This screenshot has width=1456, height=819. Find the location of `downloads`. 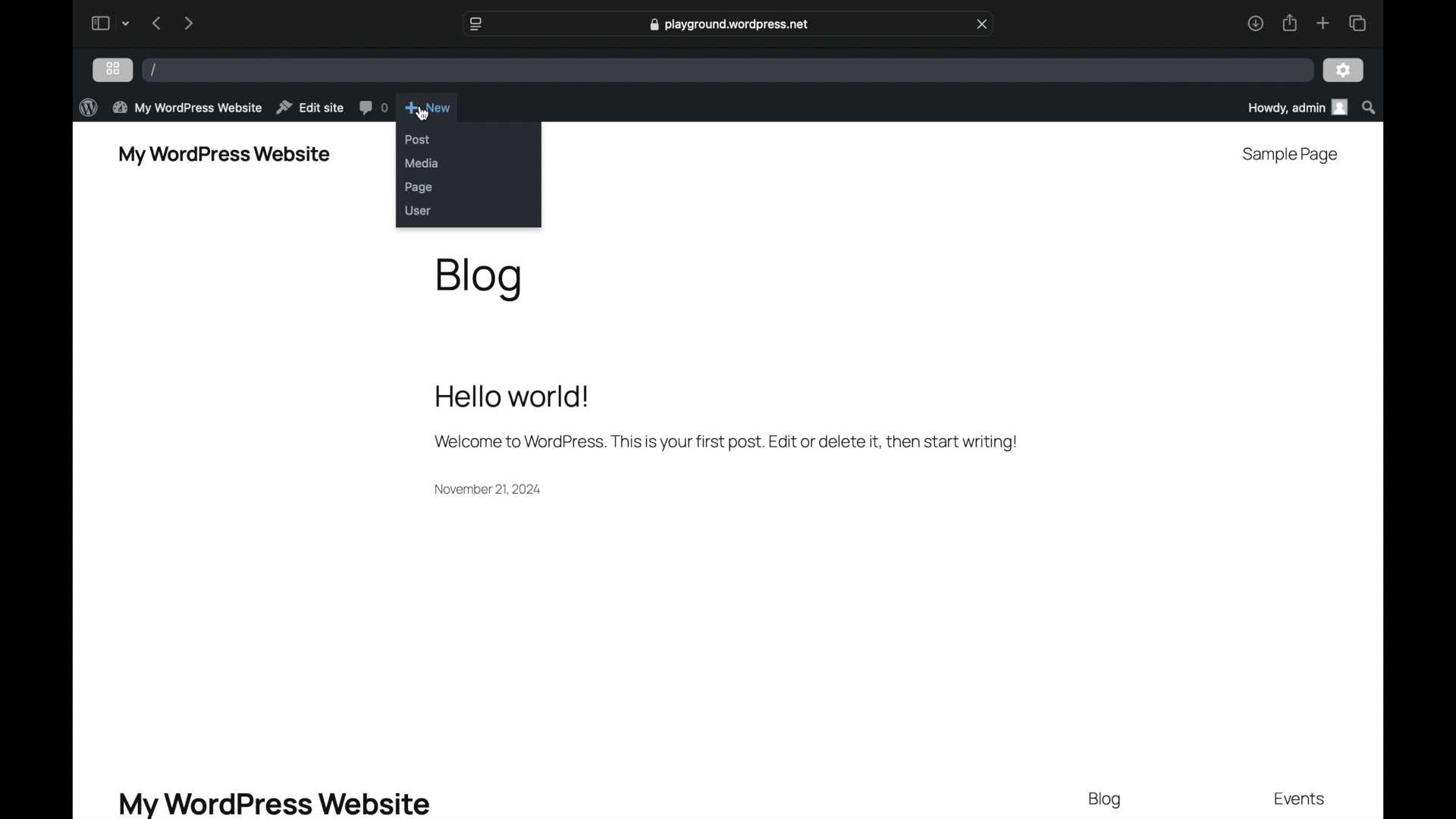

downloads is located at coordinates (1255, 23).